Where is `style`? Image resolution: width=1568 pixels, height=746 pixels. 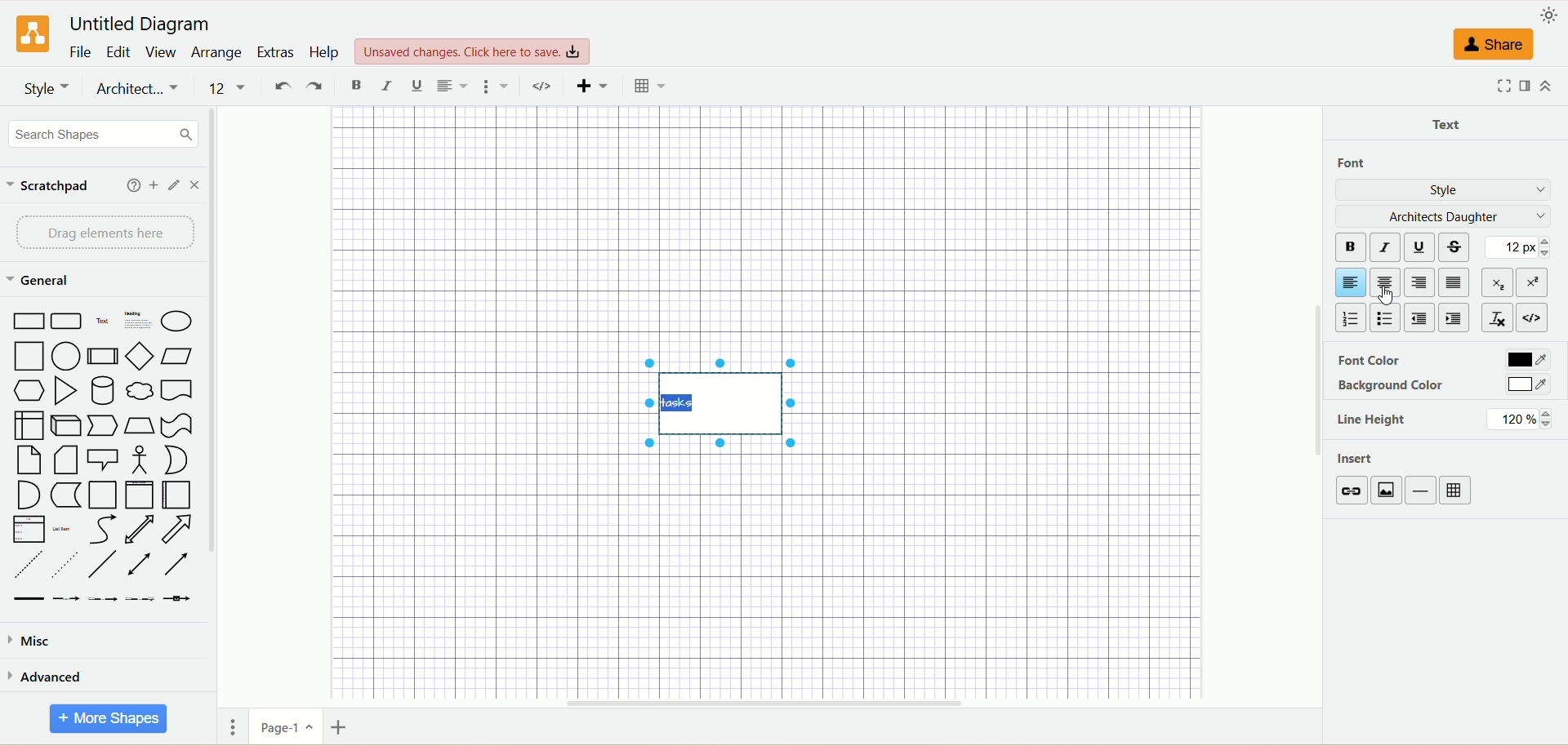 style is located at coordinates (1446, 191).